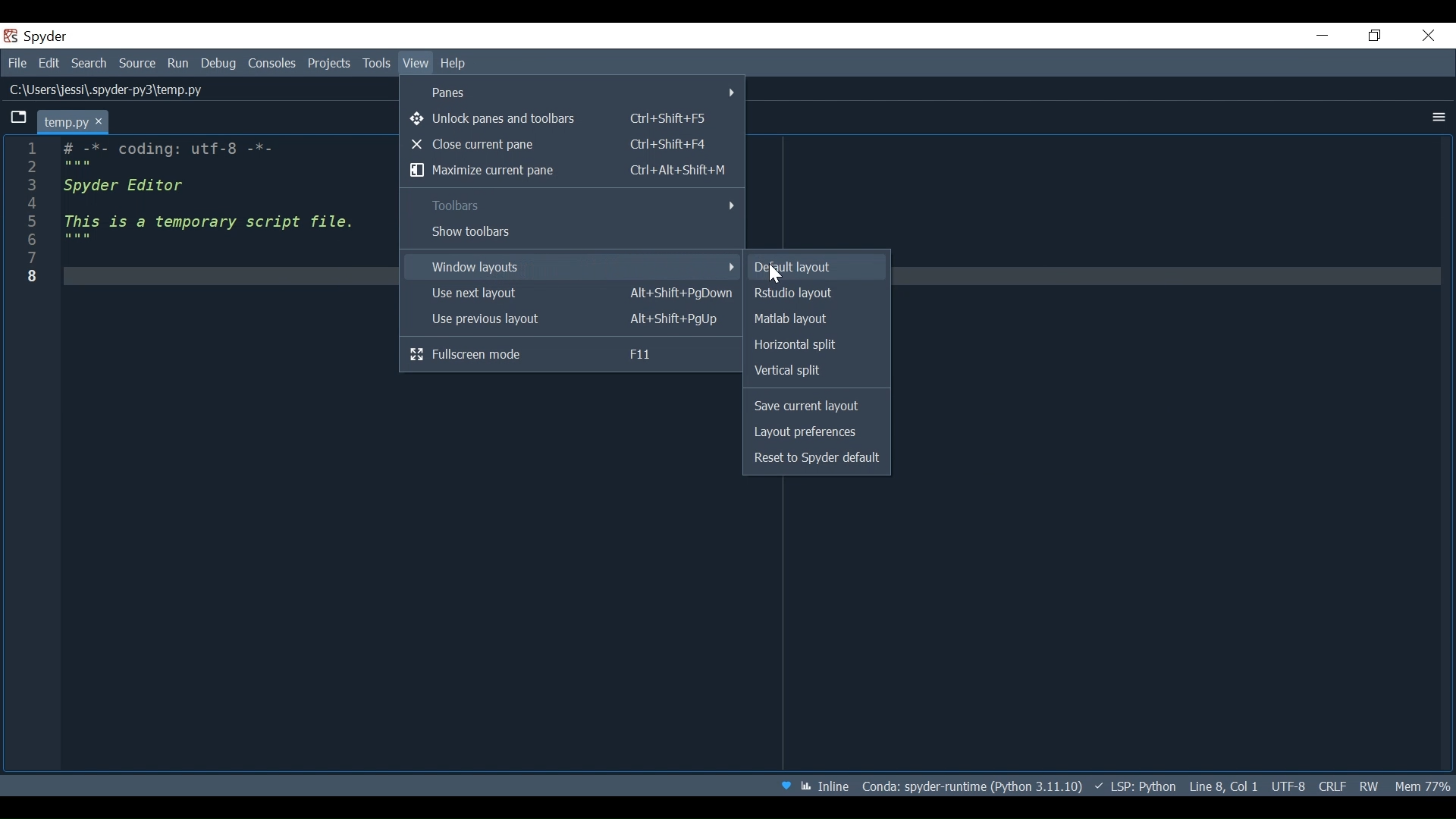 Image resolution: width=1456 pixels, height=819 pixels. Describe the element at coordinates (571, 356) in the screenshot. I see `Fullscreen mode` at that location.